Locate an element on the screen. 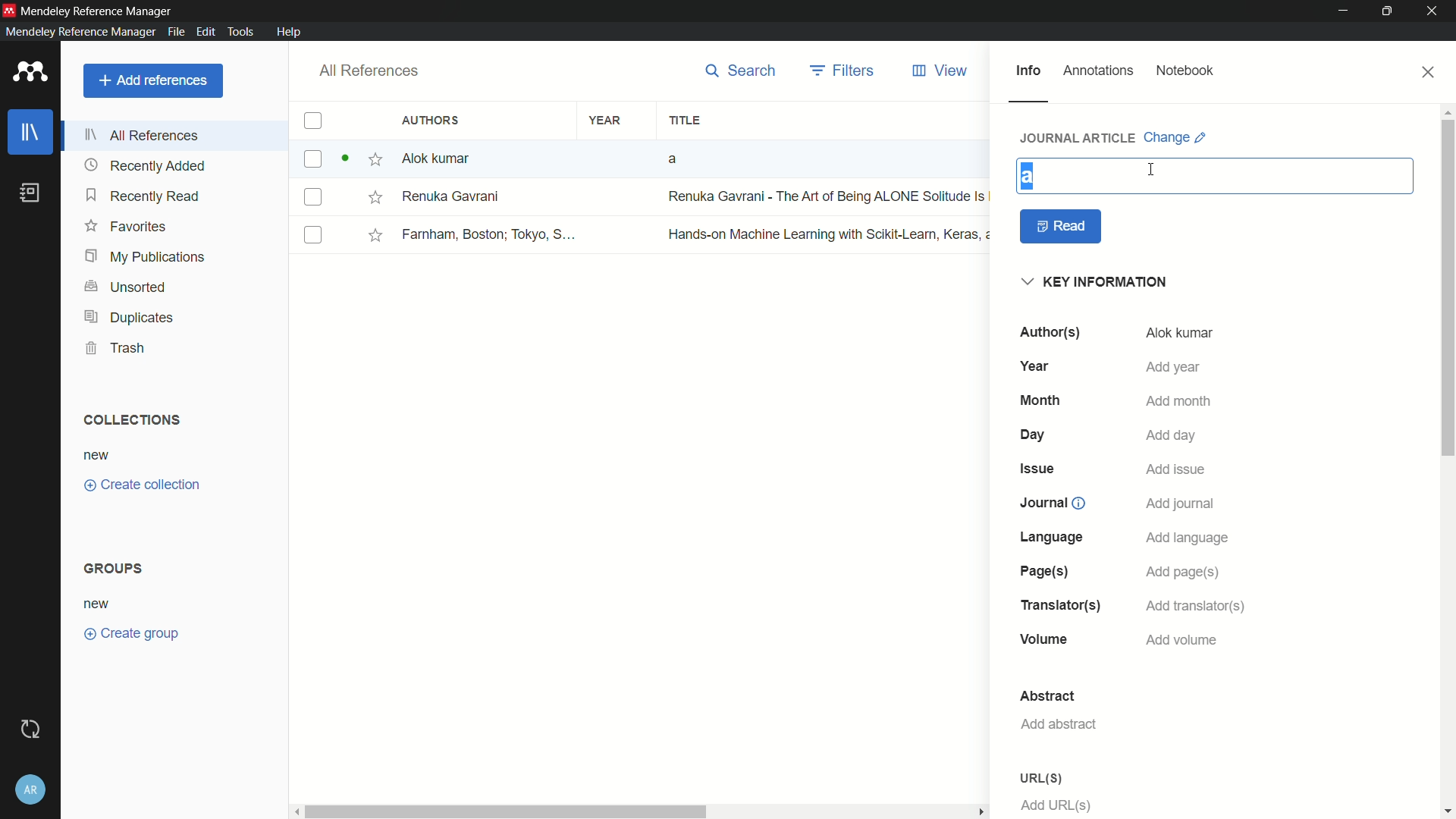 Image resolution: width=1456 pixels, height=819 pixels. year is located at coordinates (1038, 366).